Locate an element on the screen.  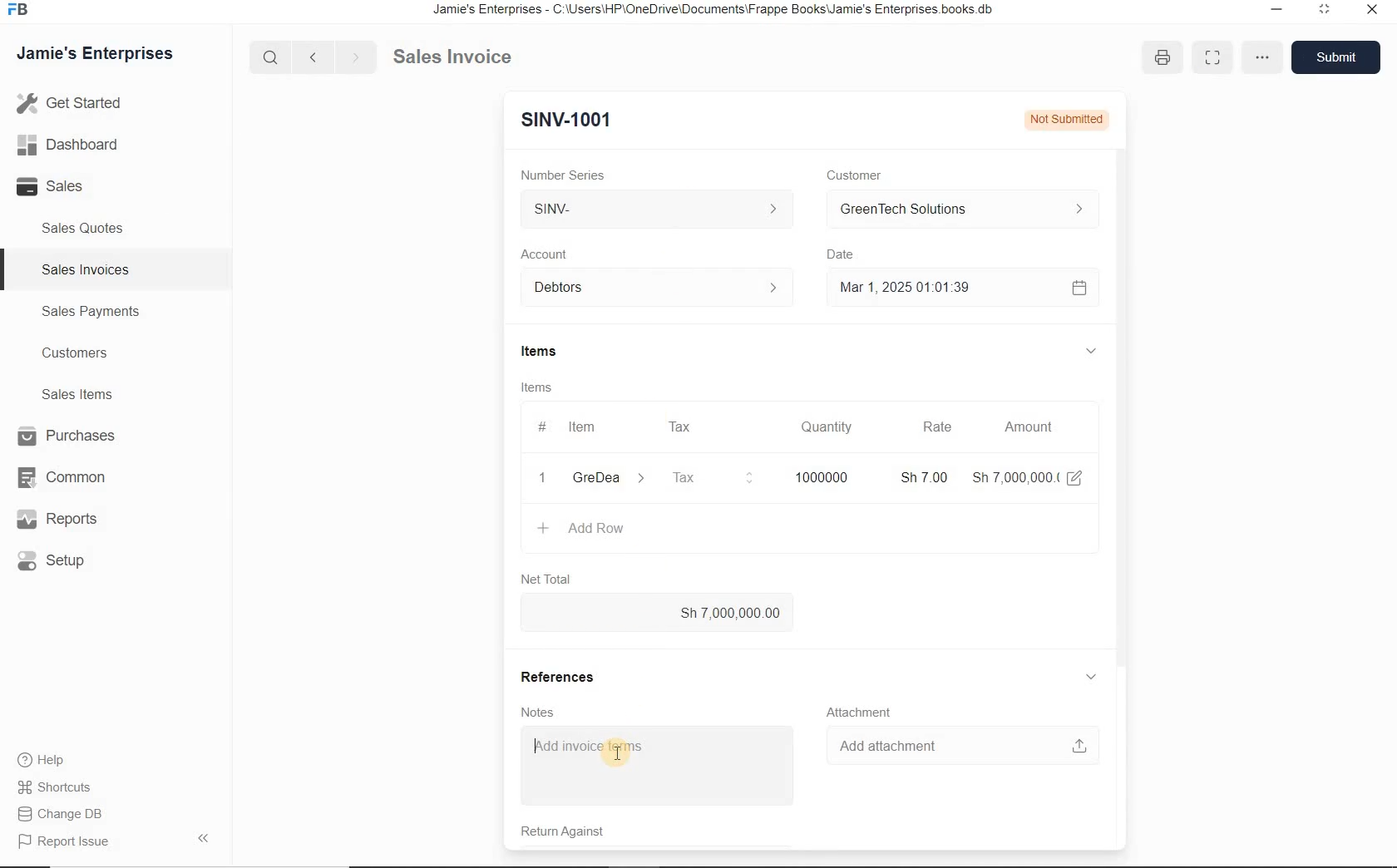
minimize is located at coordinates (1324, 12).